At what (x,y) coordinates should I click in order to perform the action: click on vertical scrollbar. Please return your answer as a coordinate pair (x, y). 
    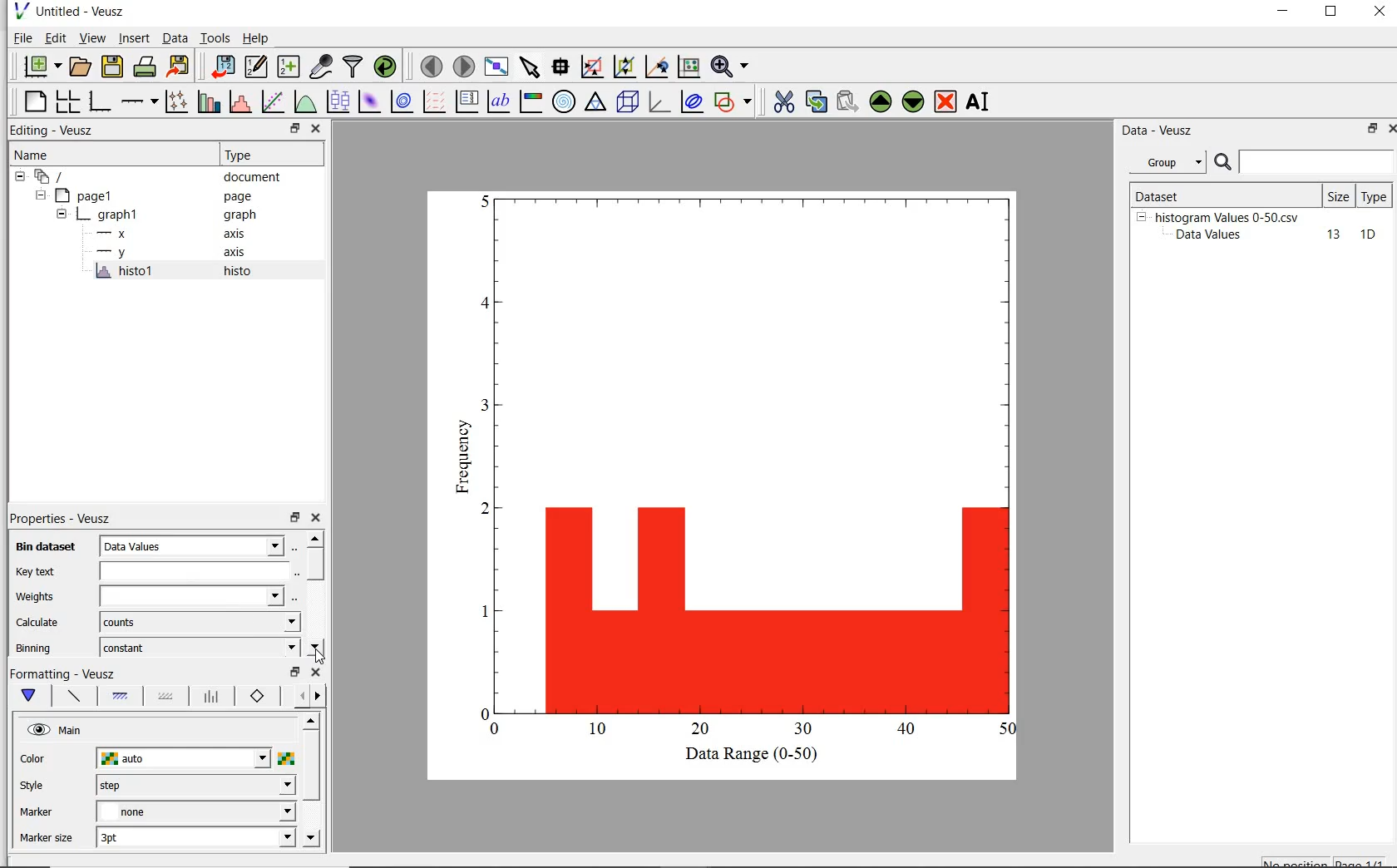
    Looking at the image, I should click on (311, 767).